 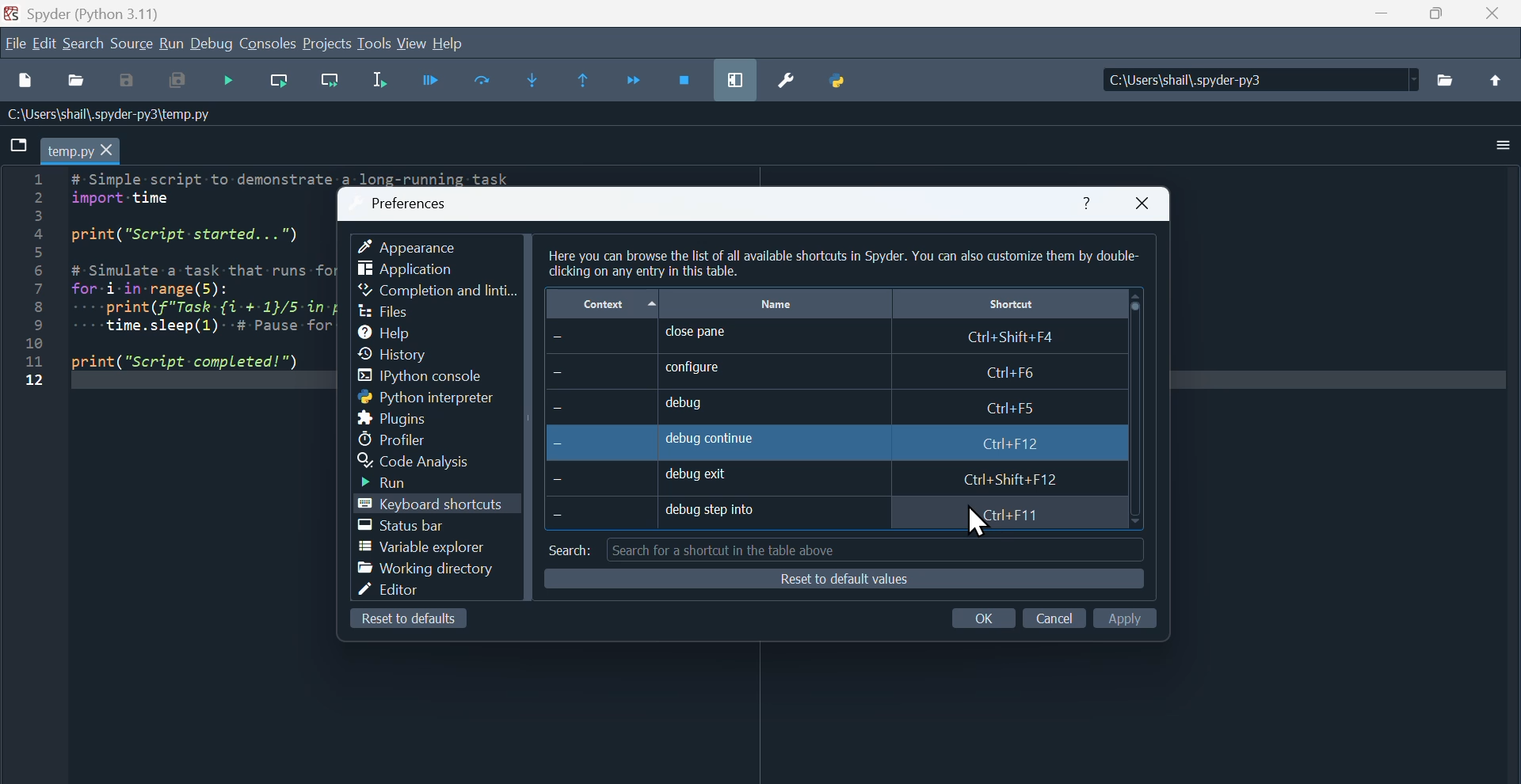 I want to click on debug, so click(x=806, y=405).